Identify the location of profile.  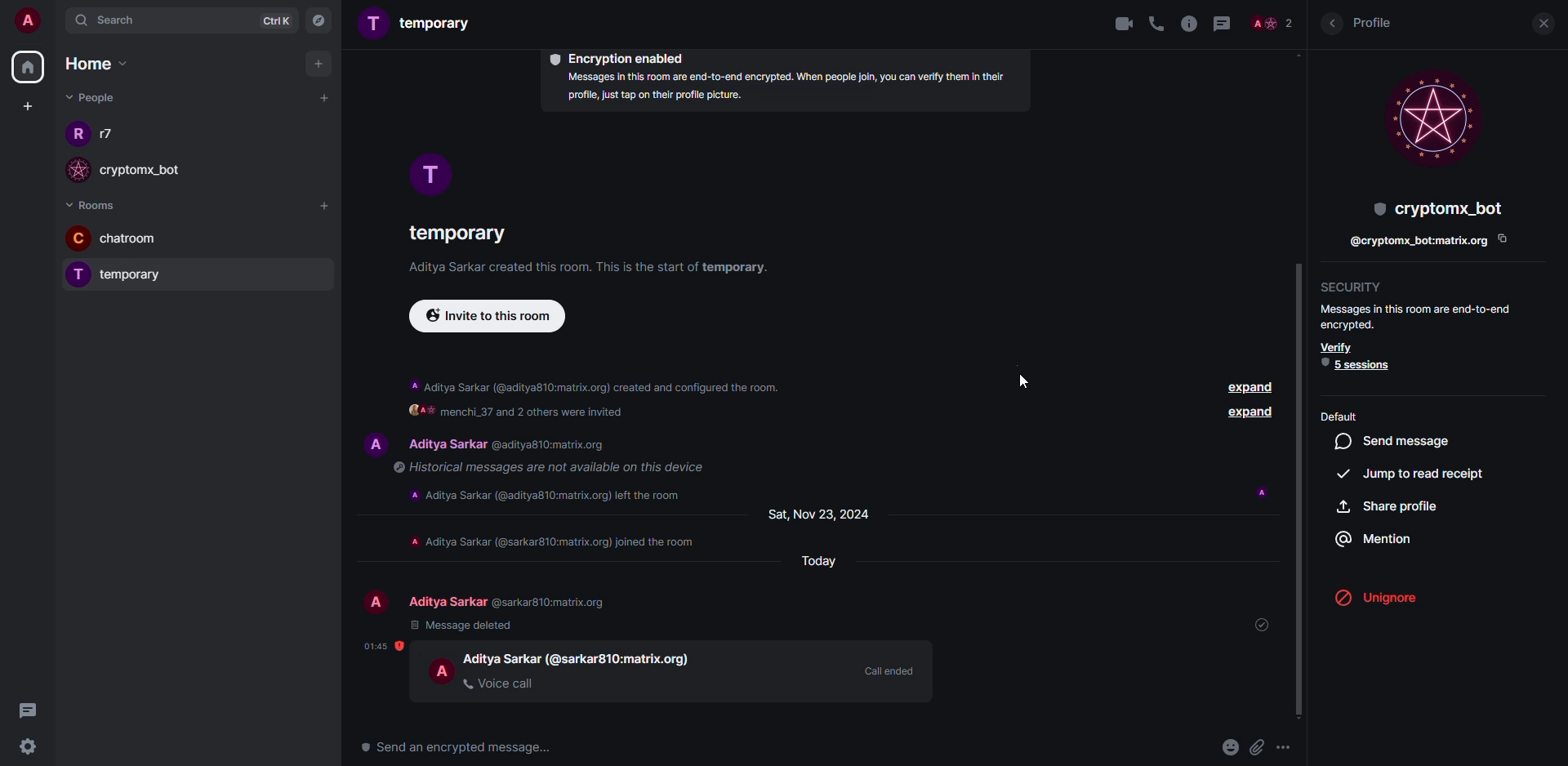
(1378, 24).